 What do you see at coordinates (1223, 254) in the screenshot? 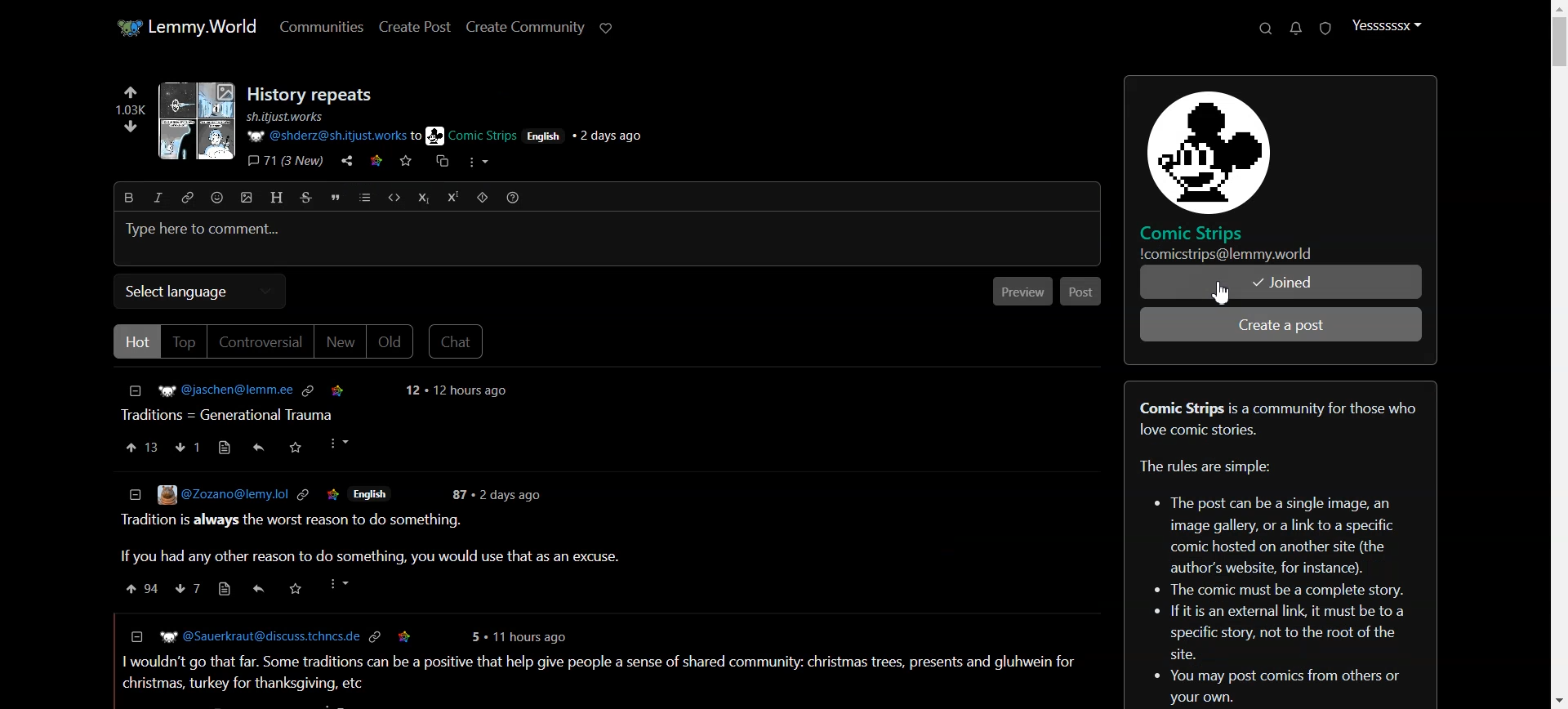
I see `| !comicstrips@lemmy.world` at bounding box center [1223, 254].